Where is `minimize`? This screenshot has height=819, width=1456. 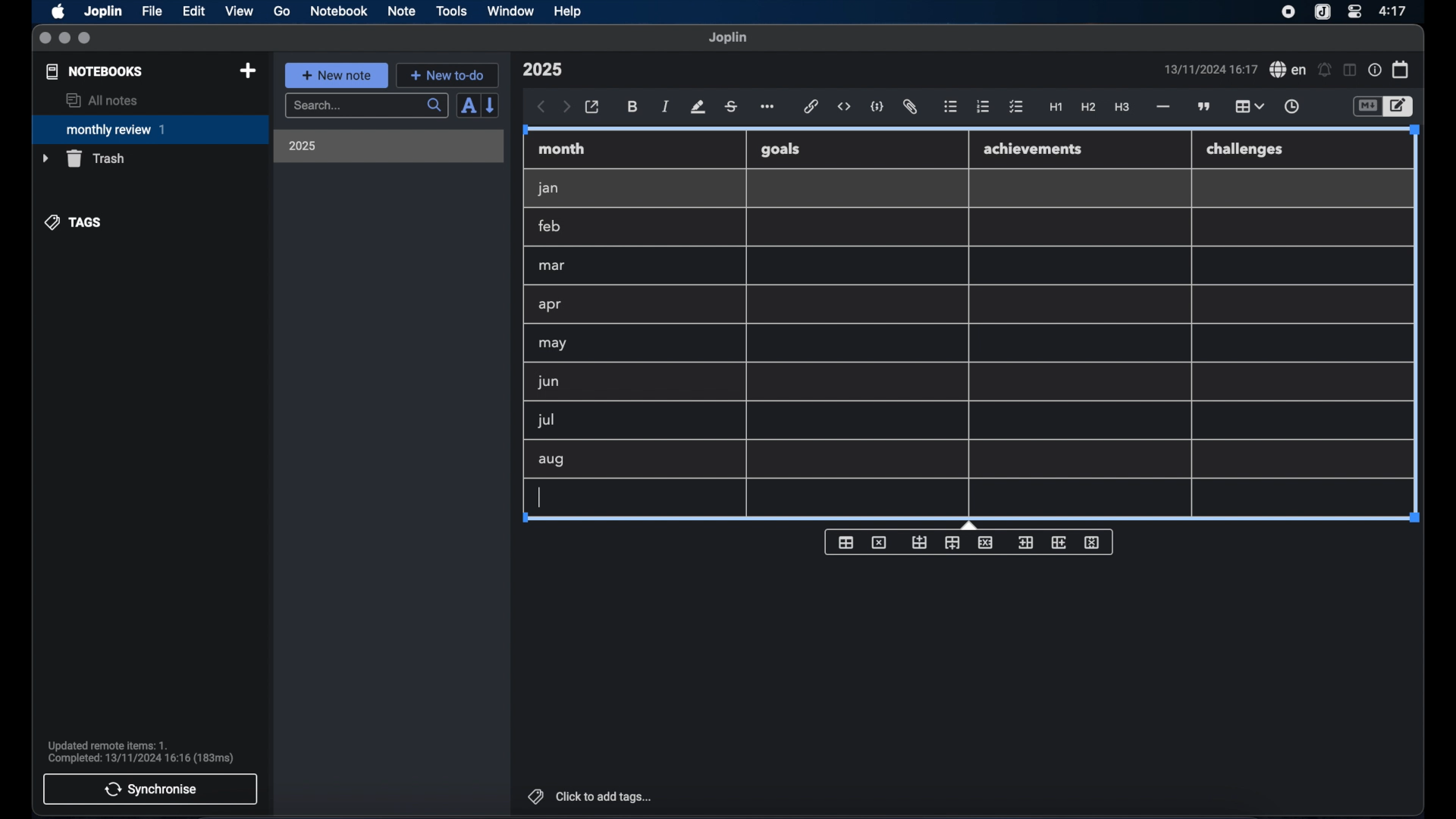
minimize is located at coordinates (64, 39).